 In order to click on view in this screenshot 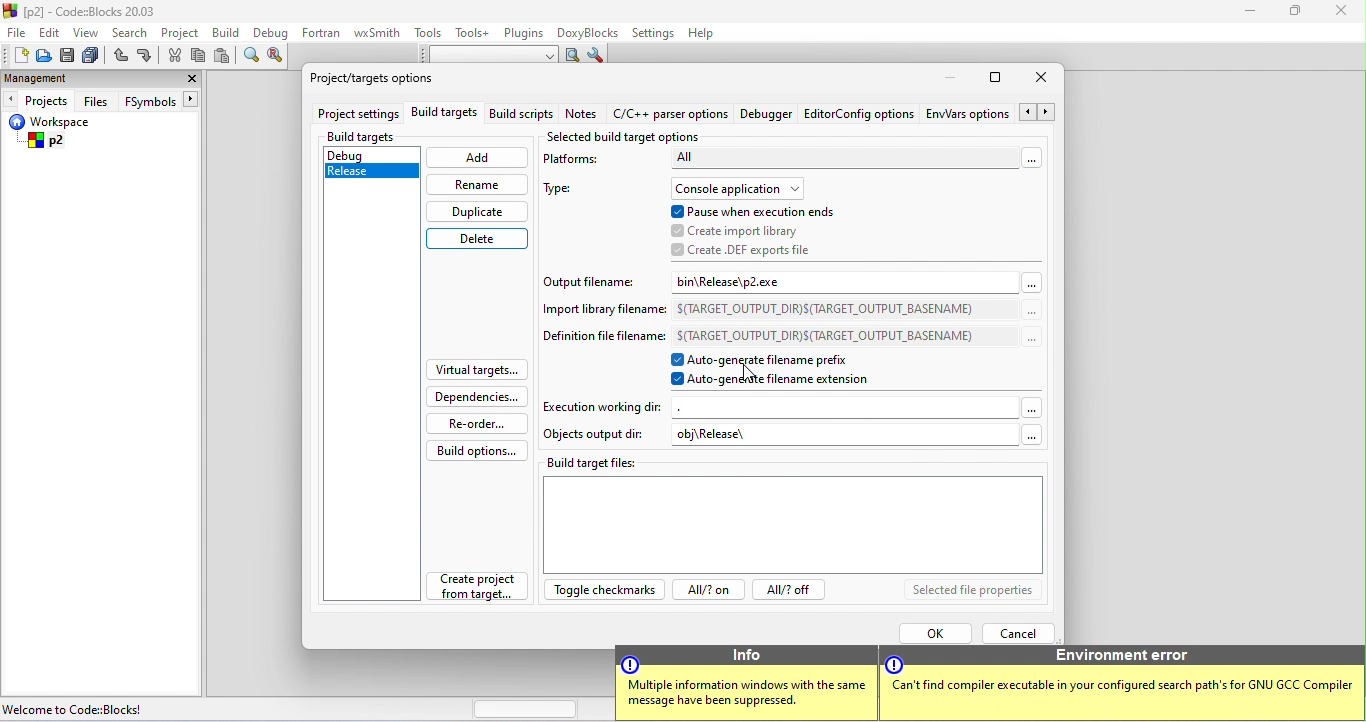, I will do `click(86, 33)`.